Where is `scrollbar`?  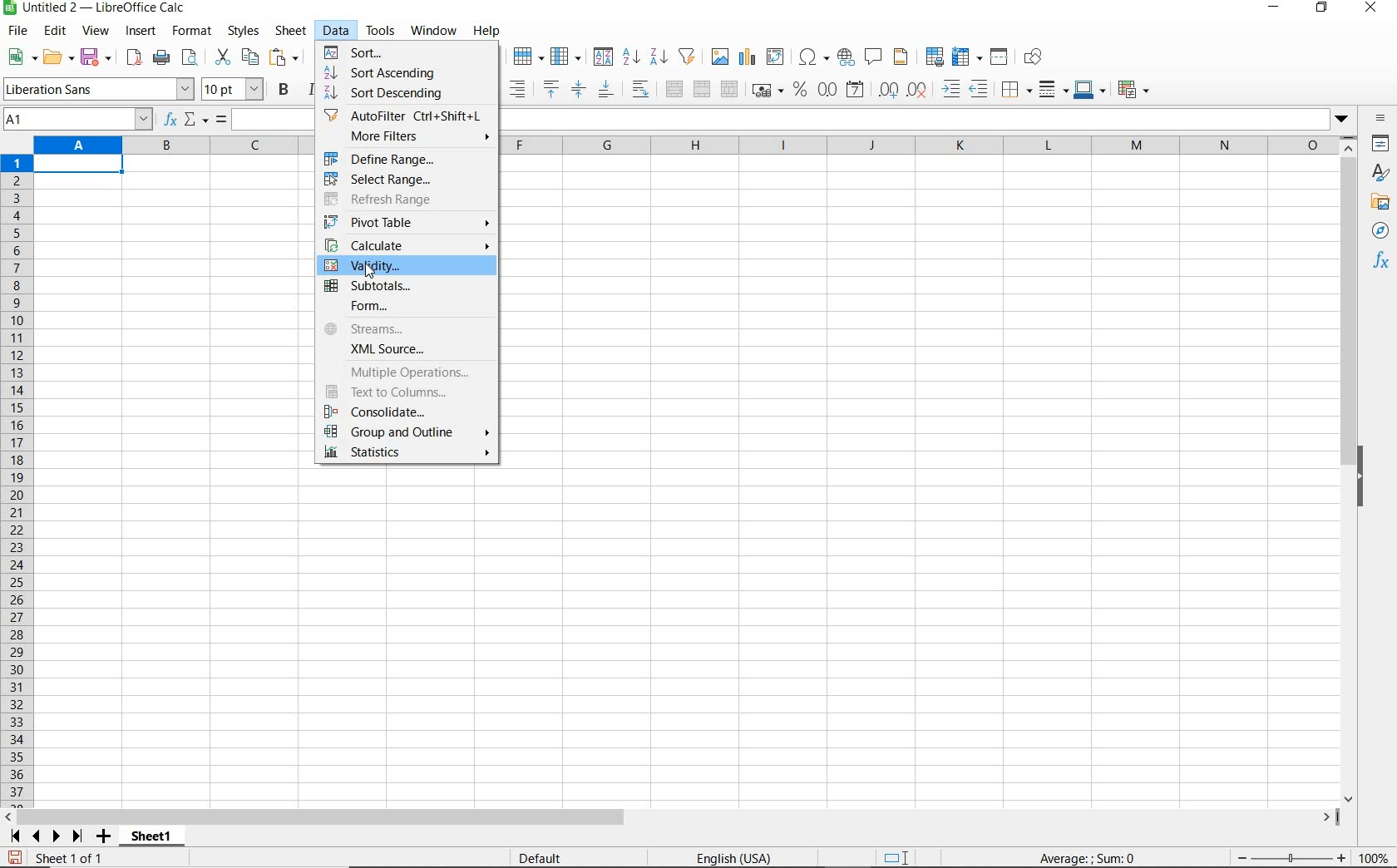 scrollbar is located at coordinates (671, 817).